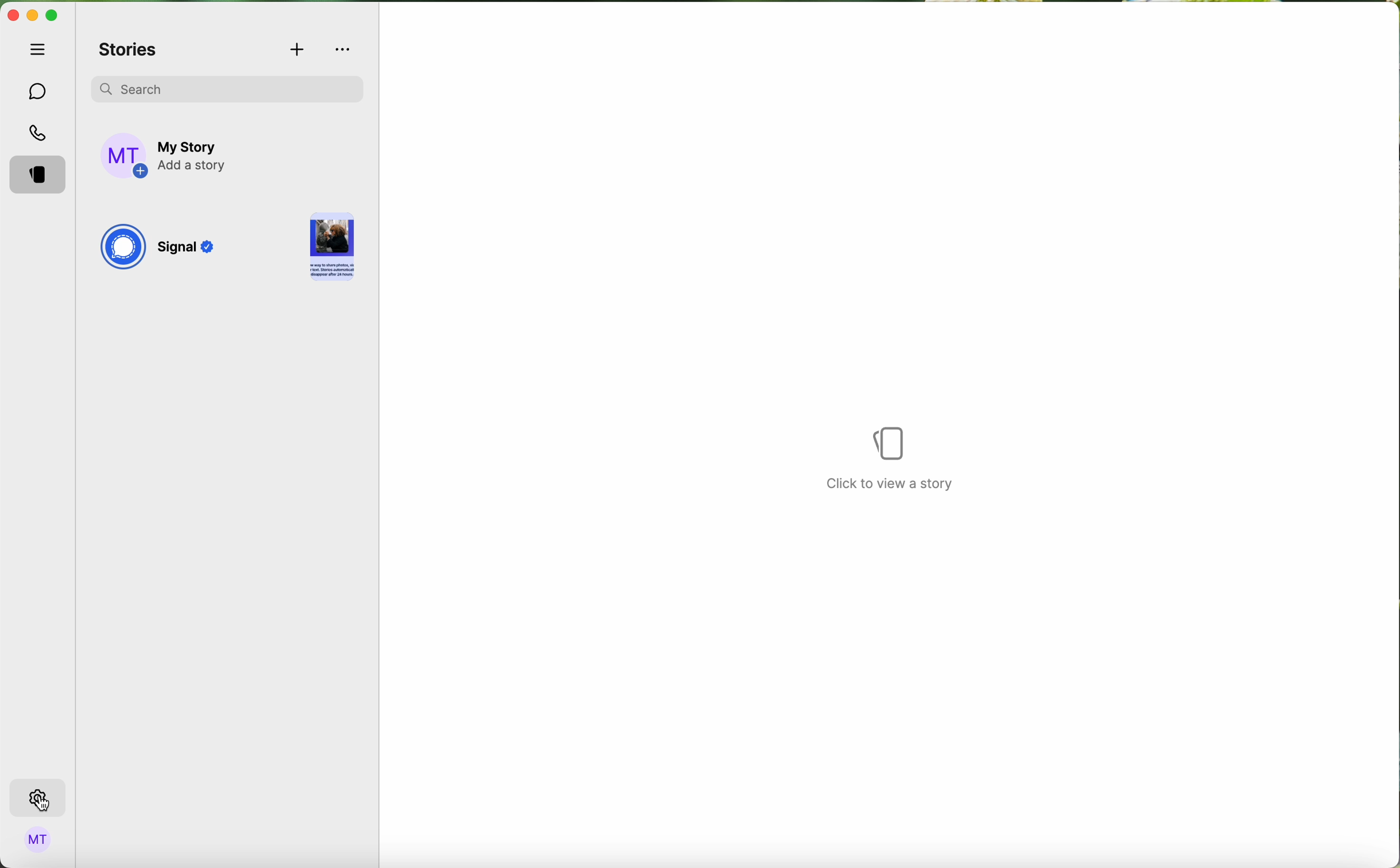 This screenshot has width=1400, height=868. What do you see at coordinates (227, 87) in the screenshot?
I see `search bar` at bounding box center [227, 87].